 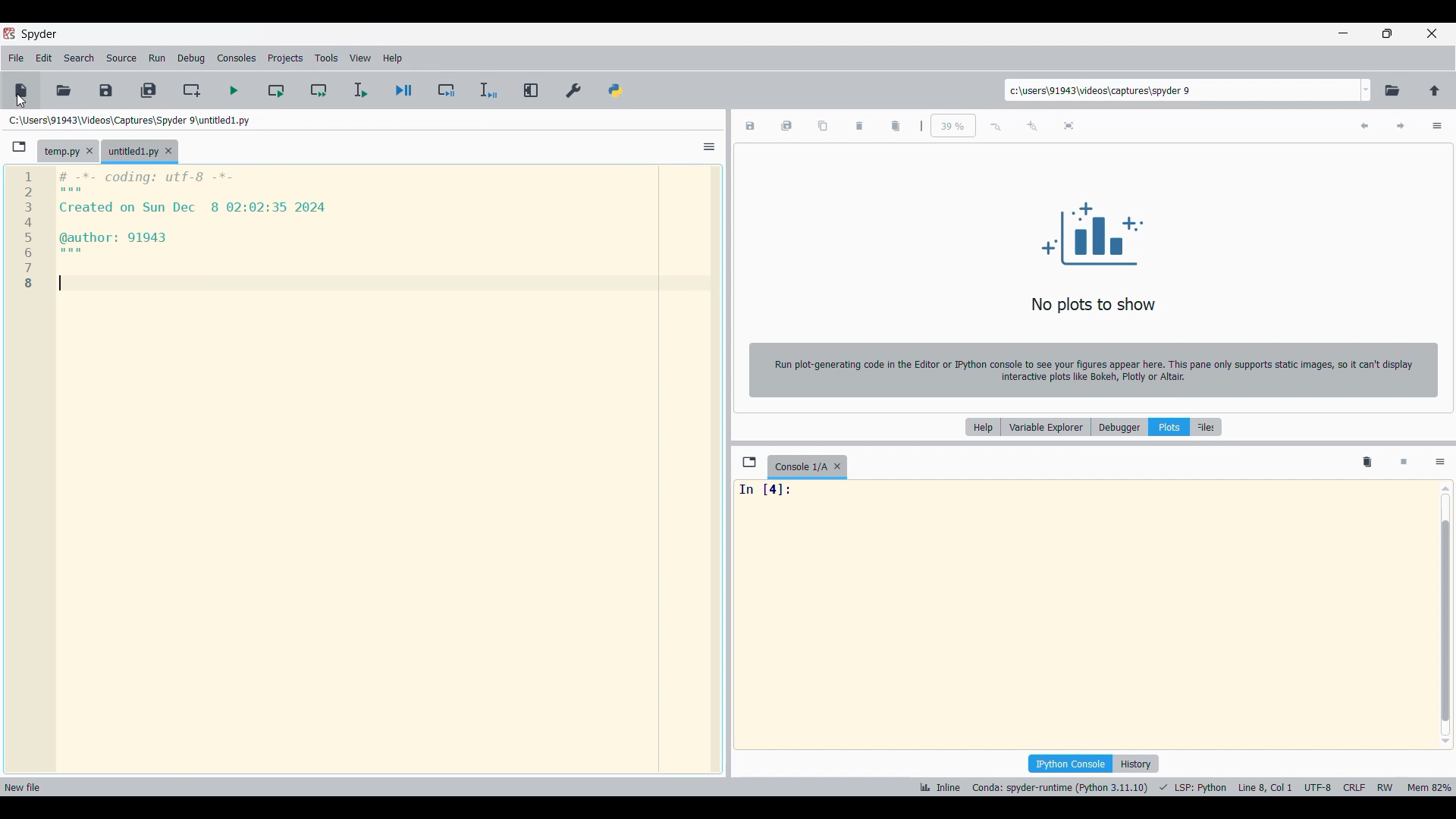 What do you see at coordinates (1185, 787) in the screenshot?
I see `programming language` at bounding box center [1185, 787].